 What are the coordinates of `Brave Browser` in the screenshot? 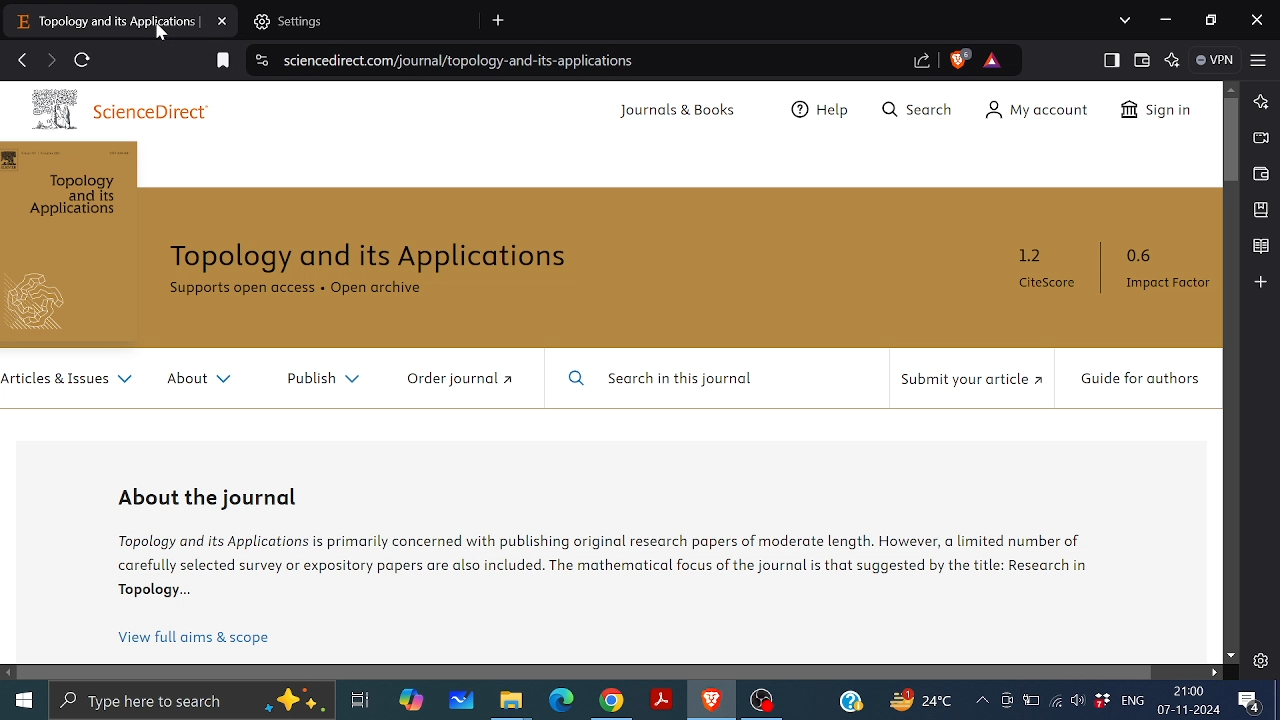 It's located at (711, 701).